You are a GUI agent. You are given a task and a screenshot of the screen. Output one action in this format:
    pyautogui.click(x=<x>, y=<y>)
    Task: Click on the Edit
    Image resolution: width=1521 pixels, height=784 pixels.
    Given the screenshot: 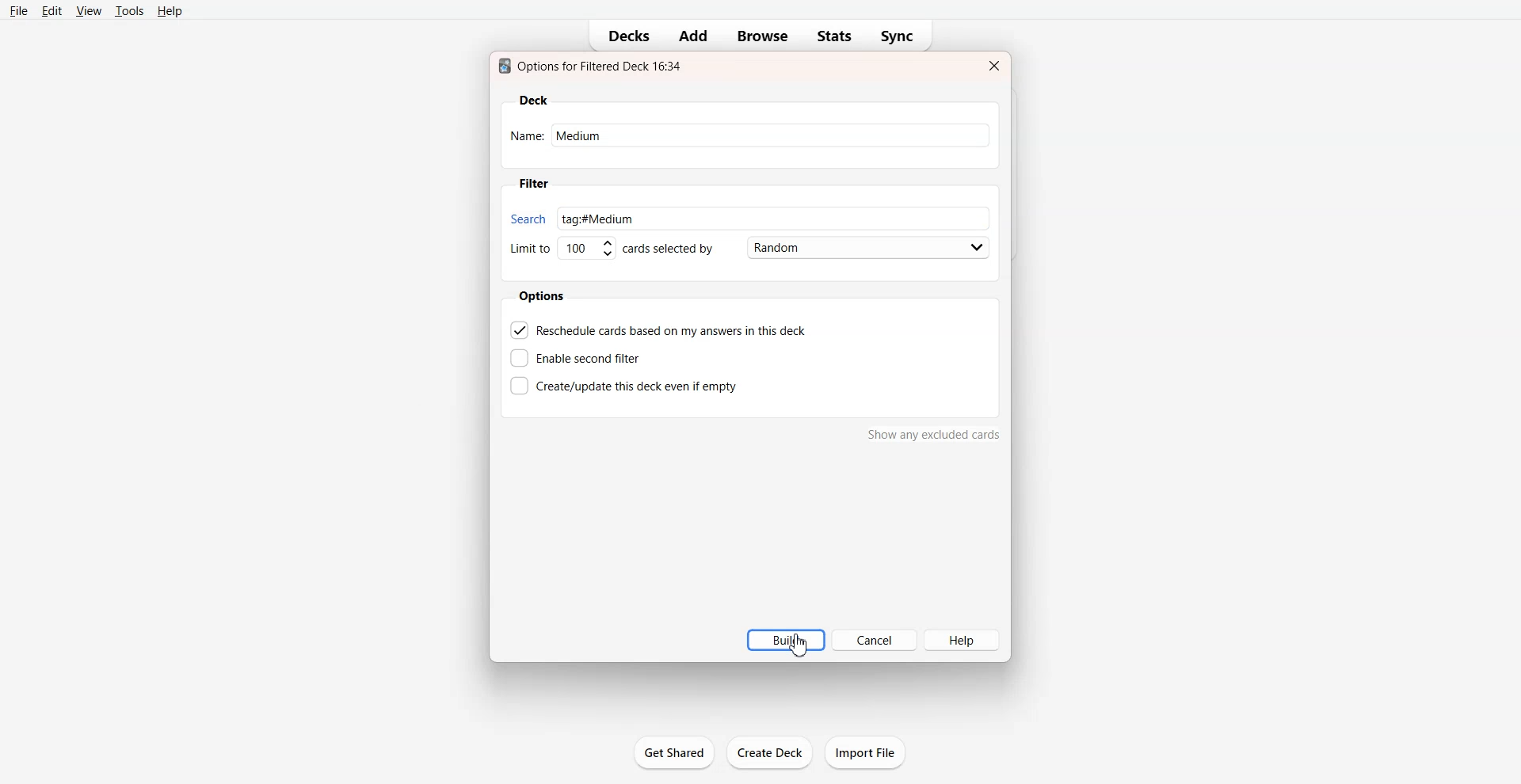 What is the action you would take?
    pyautogui.click(x=53, y=11)
    